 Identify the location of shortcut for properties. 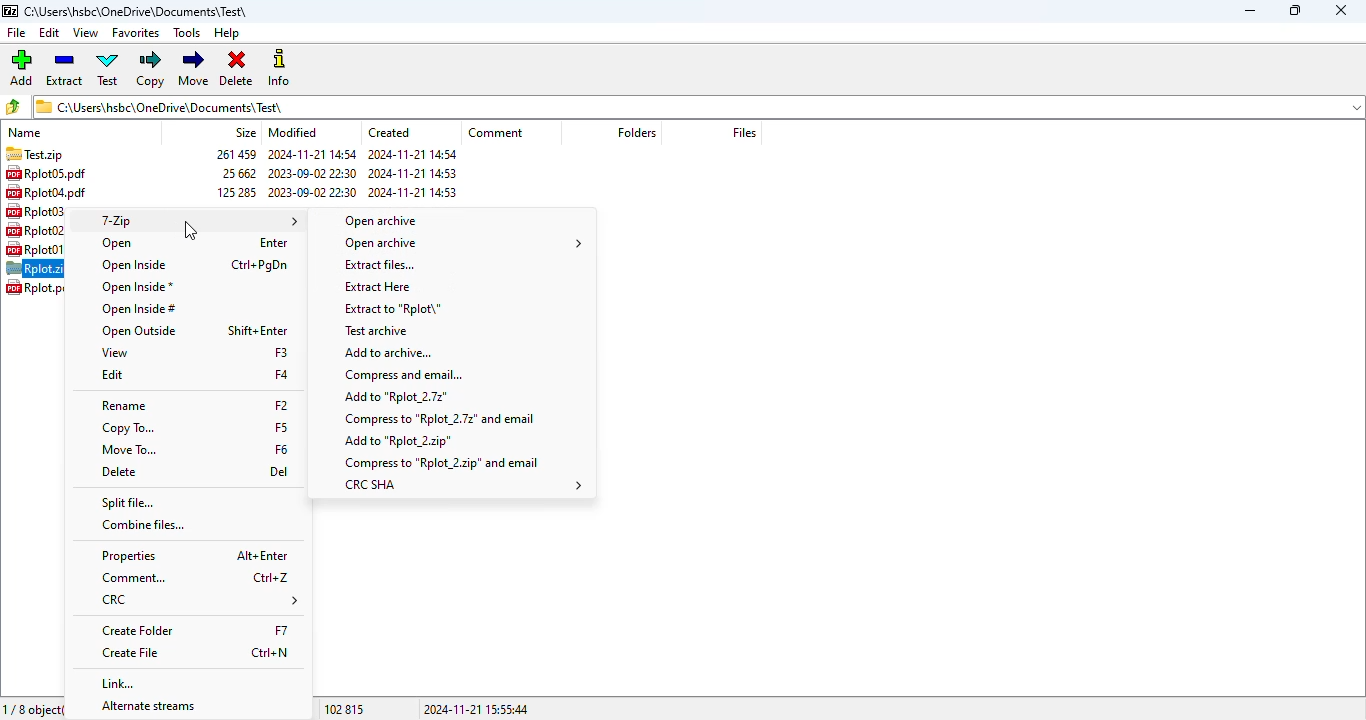
(261, 554).